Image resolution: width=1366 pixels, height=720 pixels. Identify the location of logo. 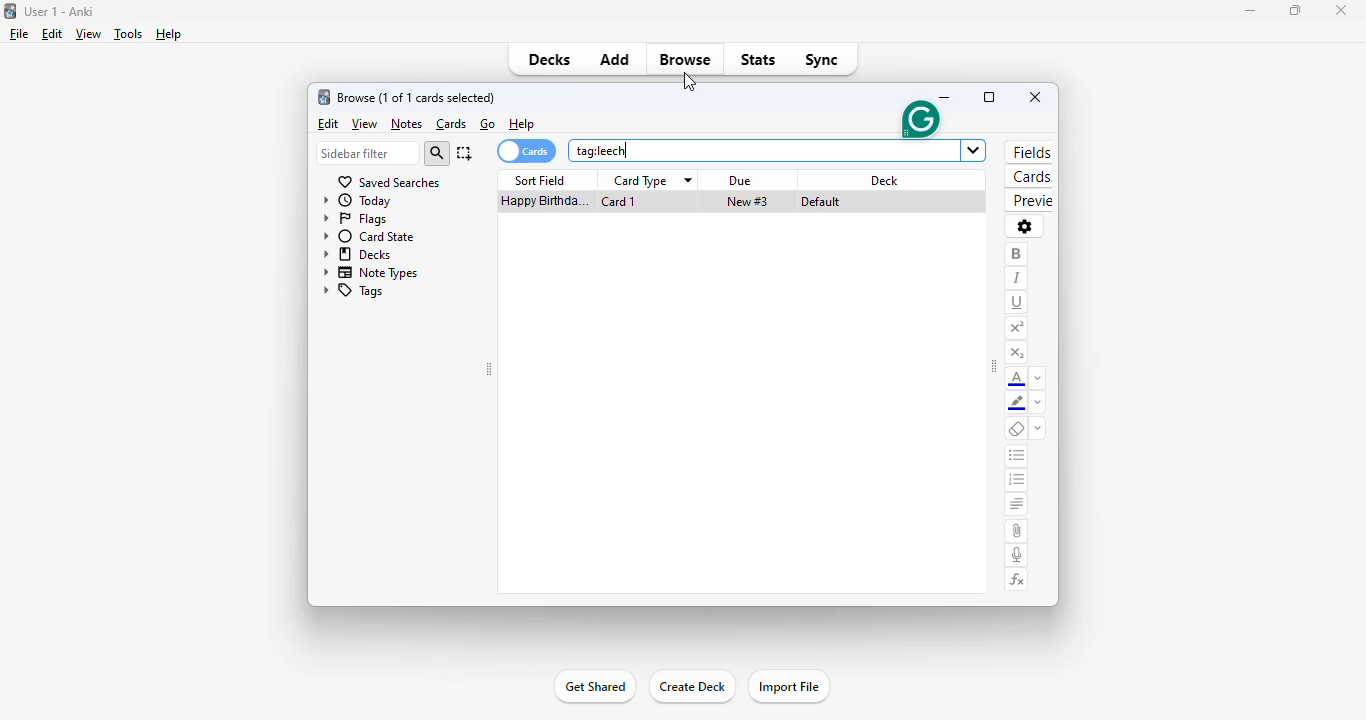
(324, 96).